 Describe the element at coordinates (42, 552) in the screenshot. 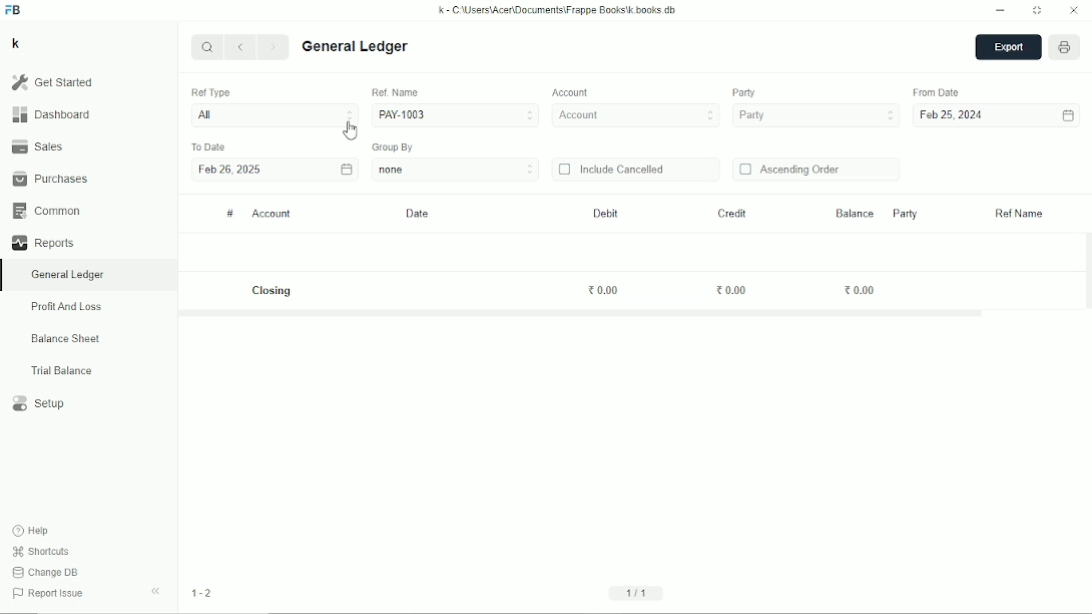

I see `Shortcuts` at that location.